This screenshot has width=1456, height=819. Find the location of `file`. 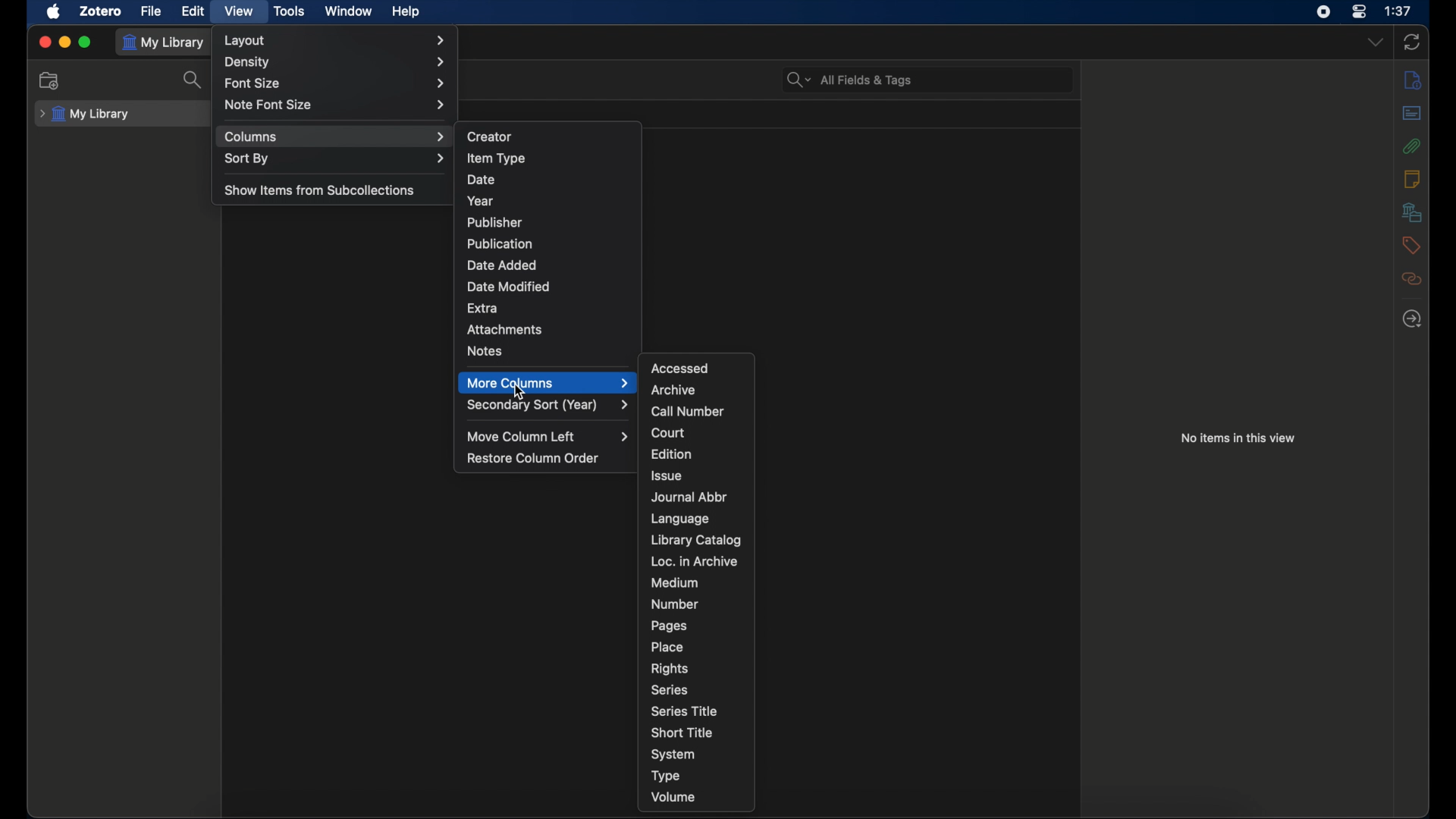

file is located at coordinates (151, 11).